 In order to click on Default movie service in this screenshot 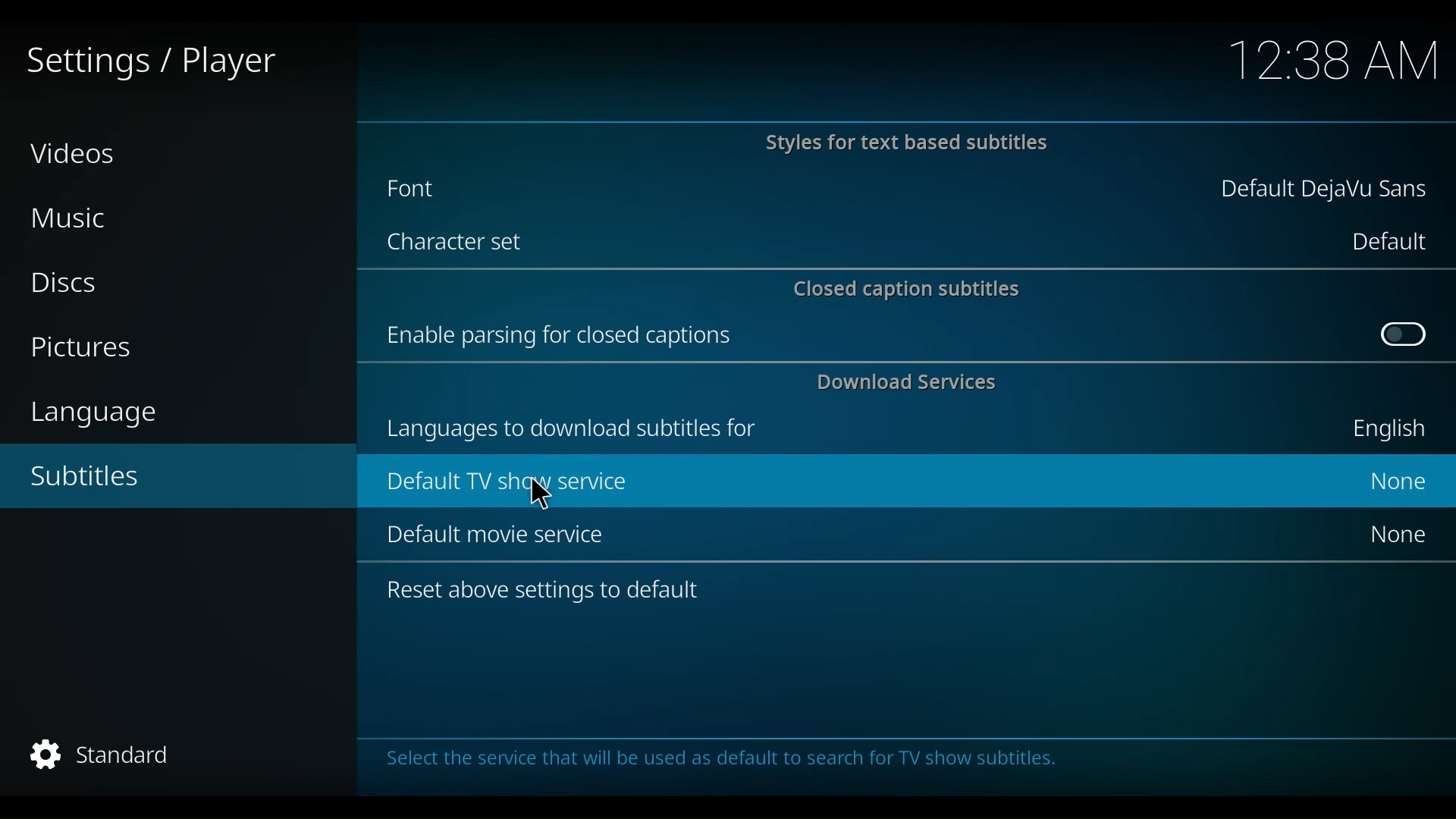, I will do `click(502, 535)`.